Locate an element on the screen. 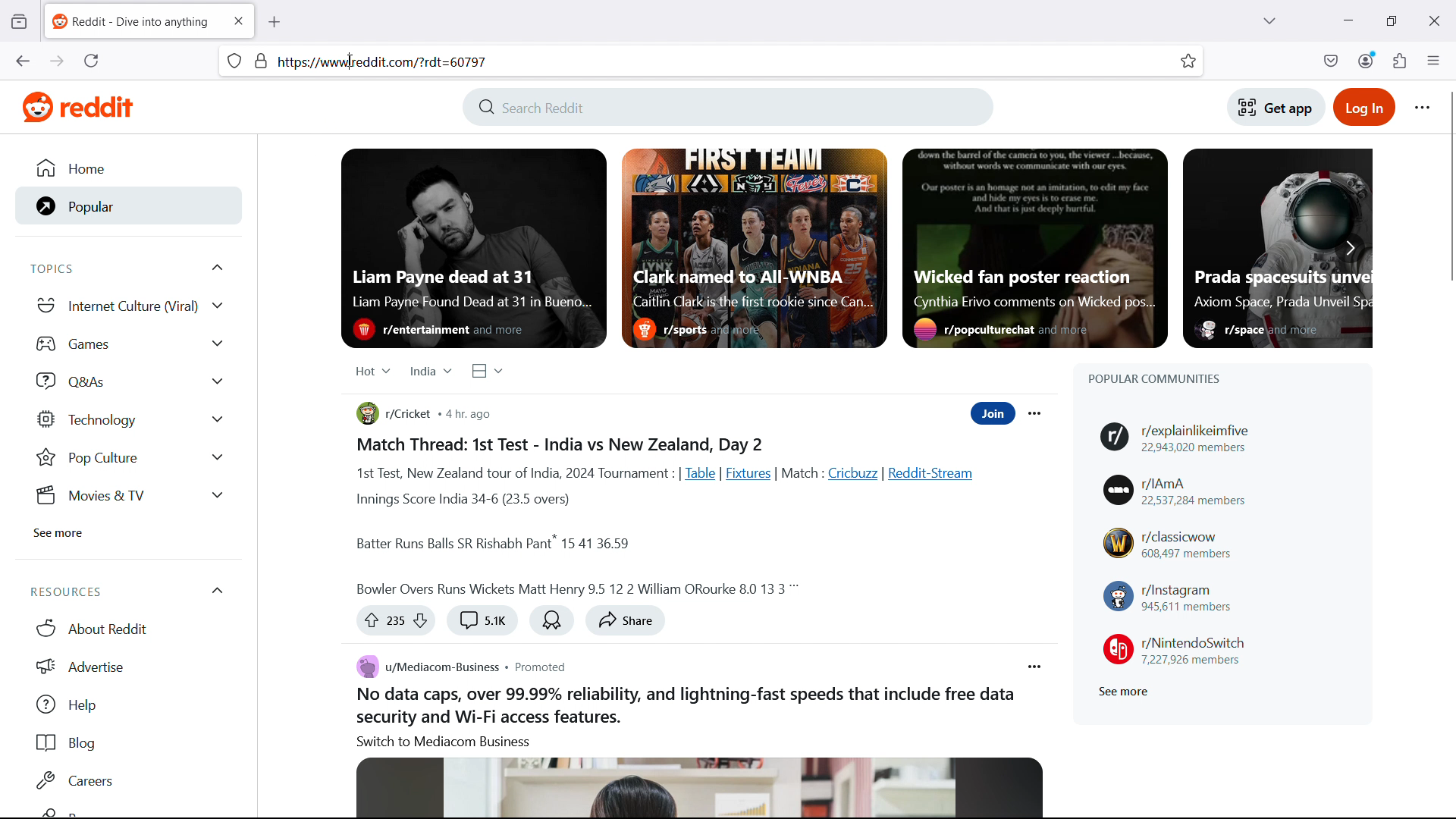  Internet culture viral is located at coordinates (130, 304).